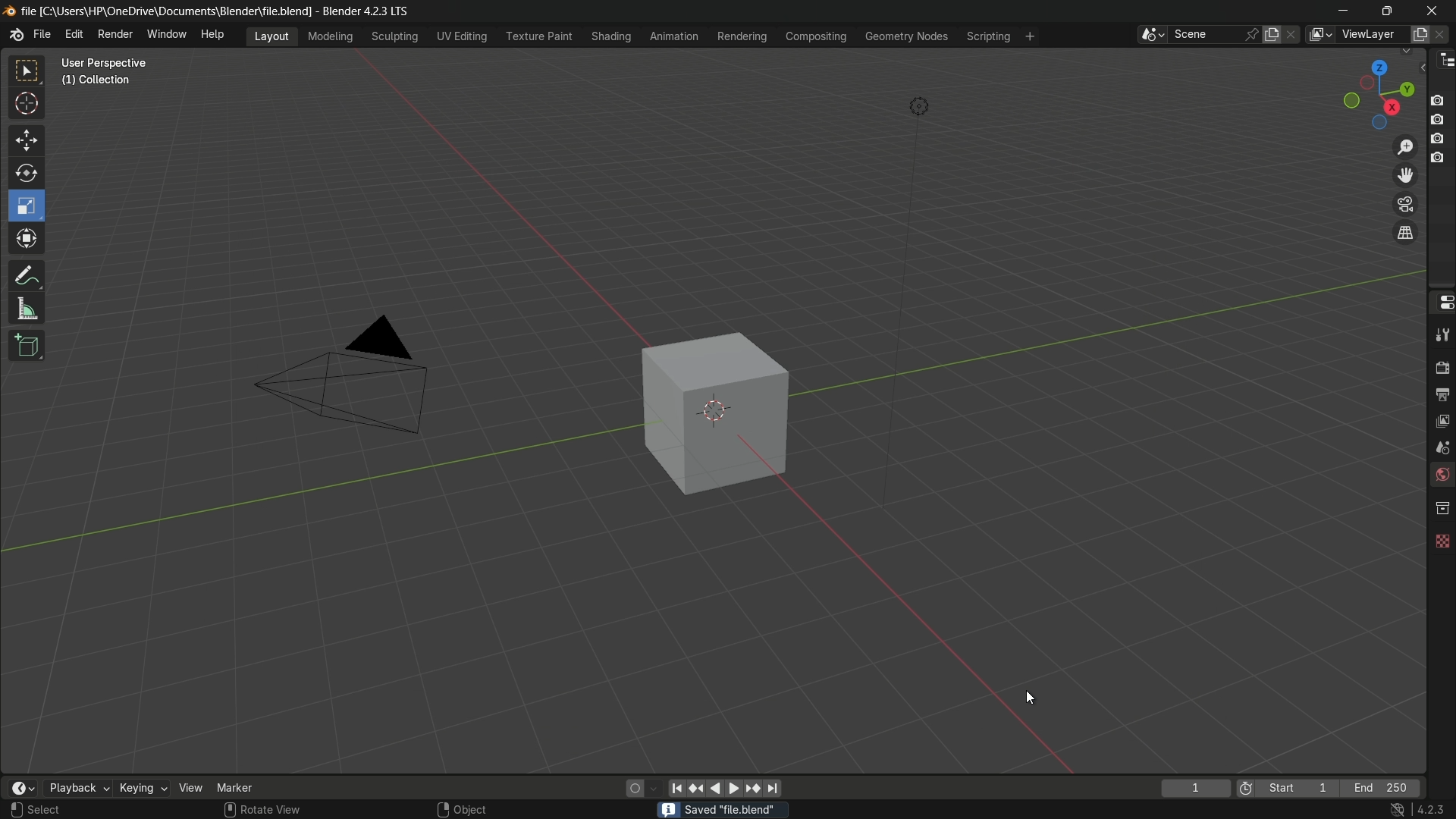 The width and height of the screenshot is (1456, 819). What do you see at coordinates (27, 106) in the screenshot?
I see `cursor` at bounding box center [27, 106].